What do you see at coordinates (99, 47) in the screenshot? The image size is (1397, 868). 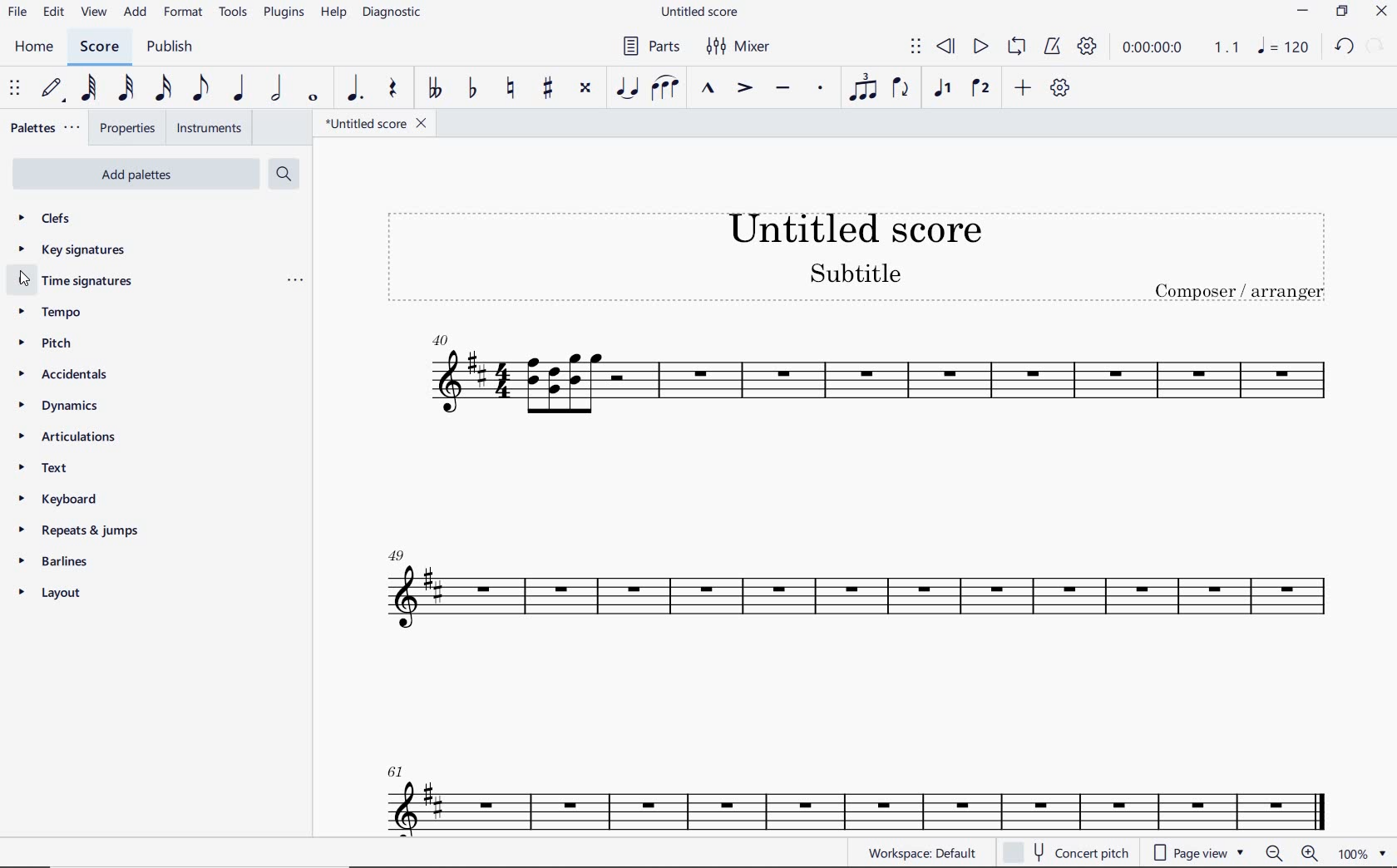 I see `SCORE` at bounding box center [99, 47].